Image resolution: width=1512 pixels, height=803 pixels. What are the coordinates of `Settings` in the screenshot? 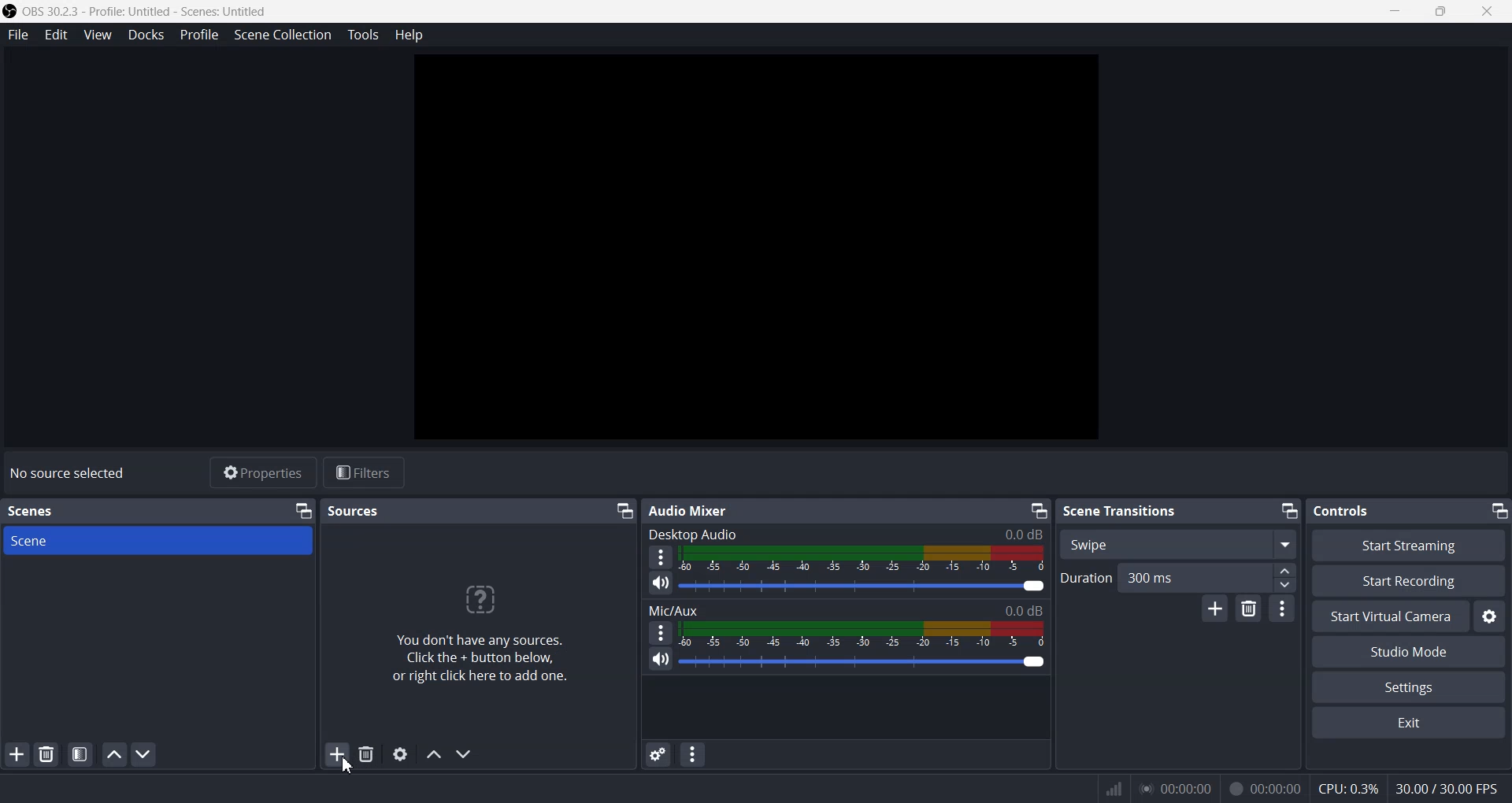 It's located at (1408, 688).